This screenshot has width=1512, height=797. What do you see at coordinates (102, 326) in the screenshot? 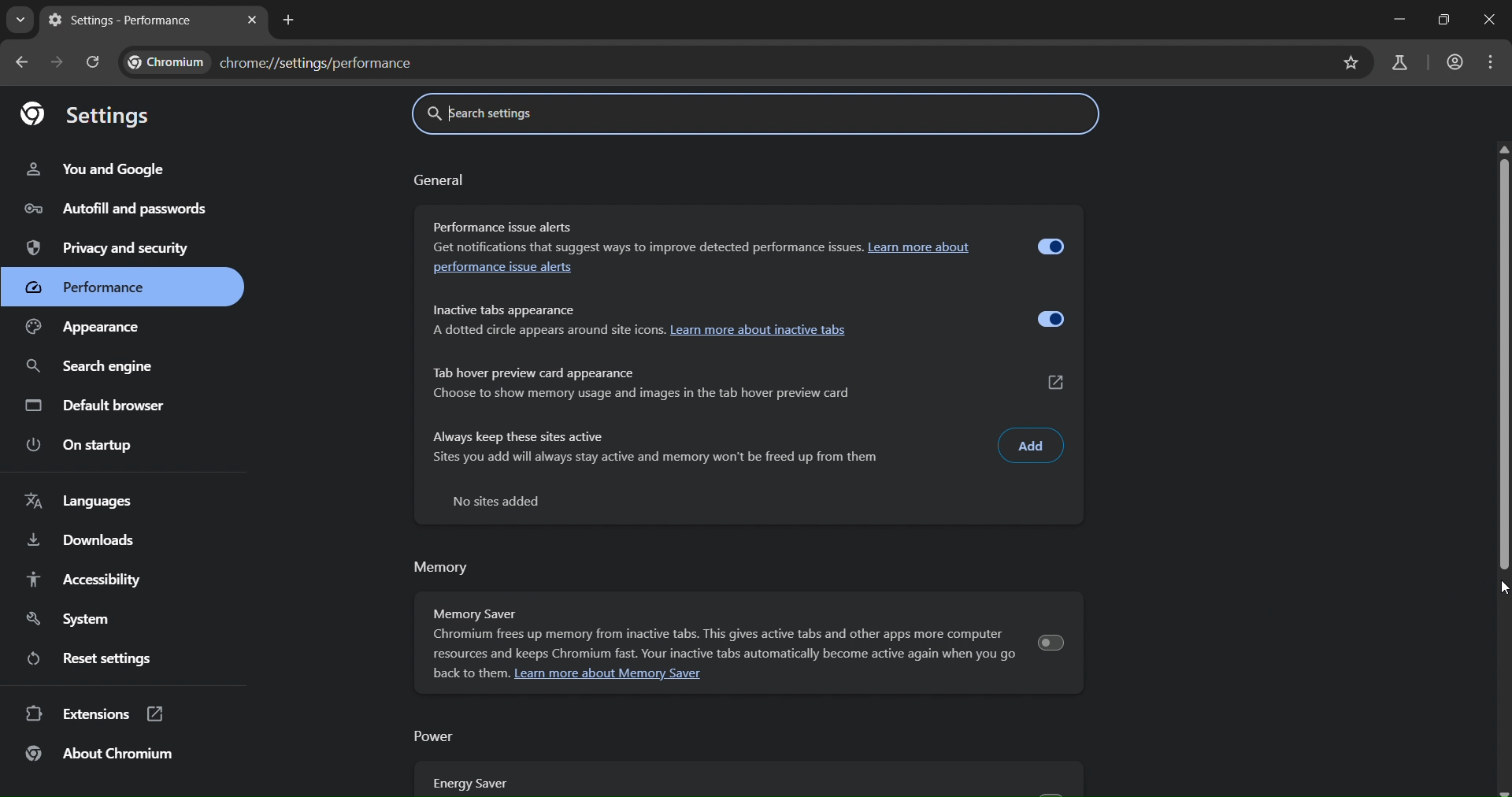
I see `appearance` at bounding box center [102, 326].